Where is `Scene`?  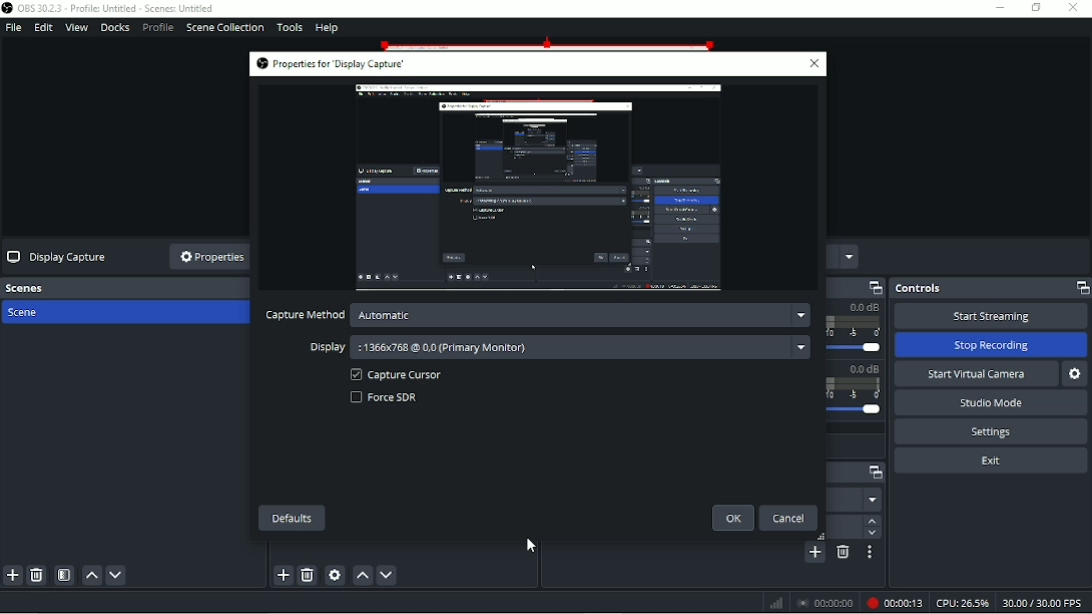
Scene is located at coordinates (27, 313).